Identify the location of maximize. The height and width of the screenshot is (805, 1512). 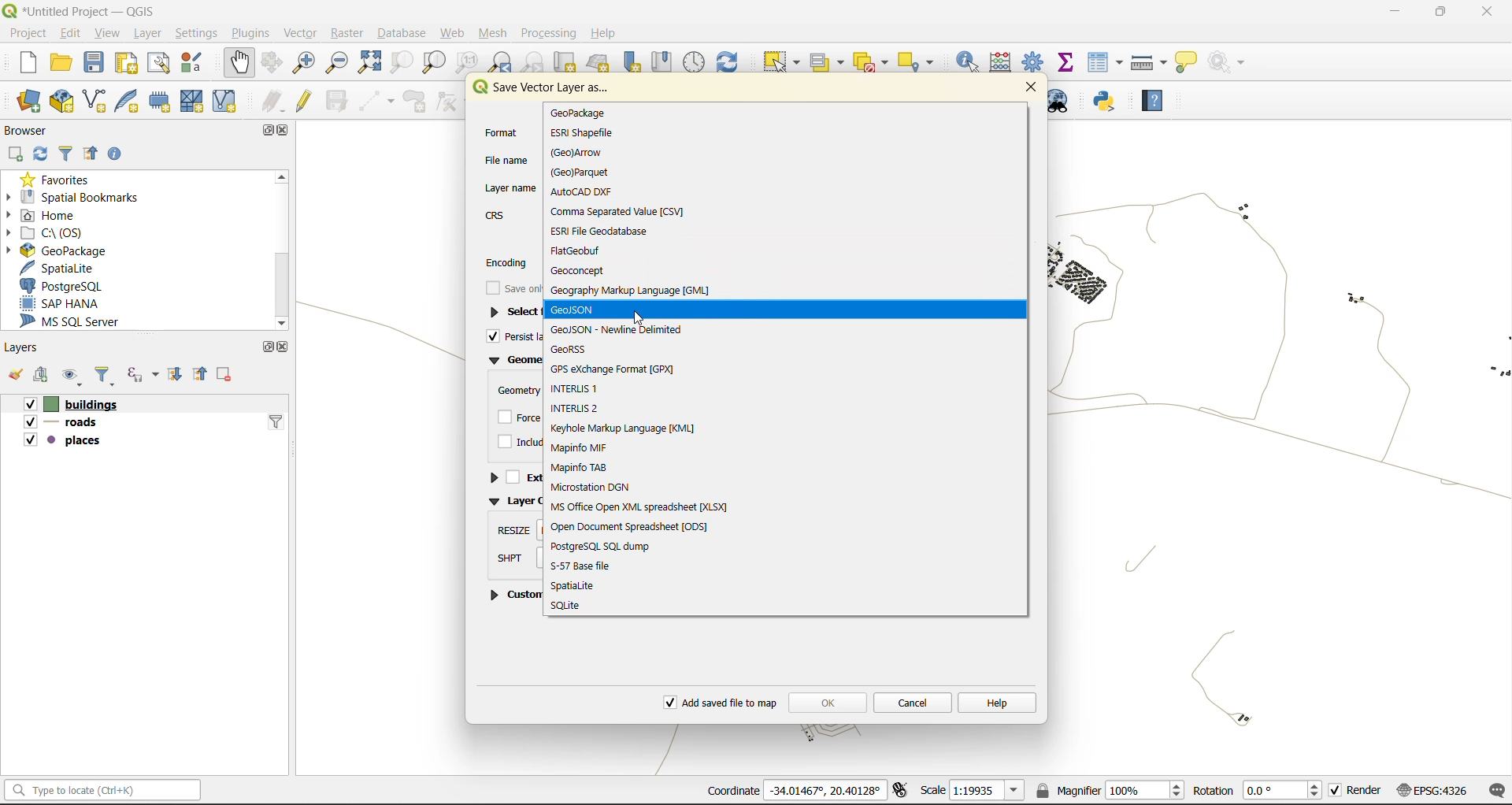
(1438, 14).